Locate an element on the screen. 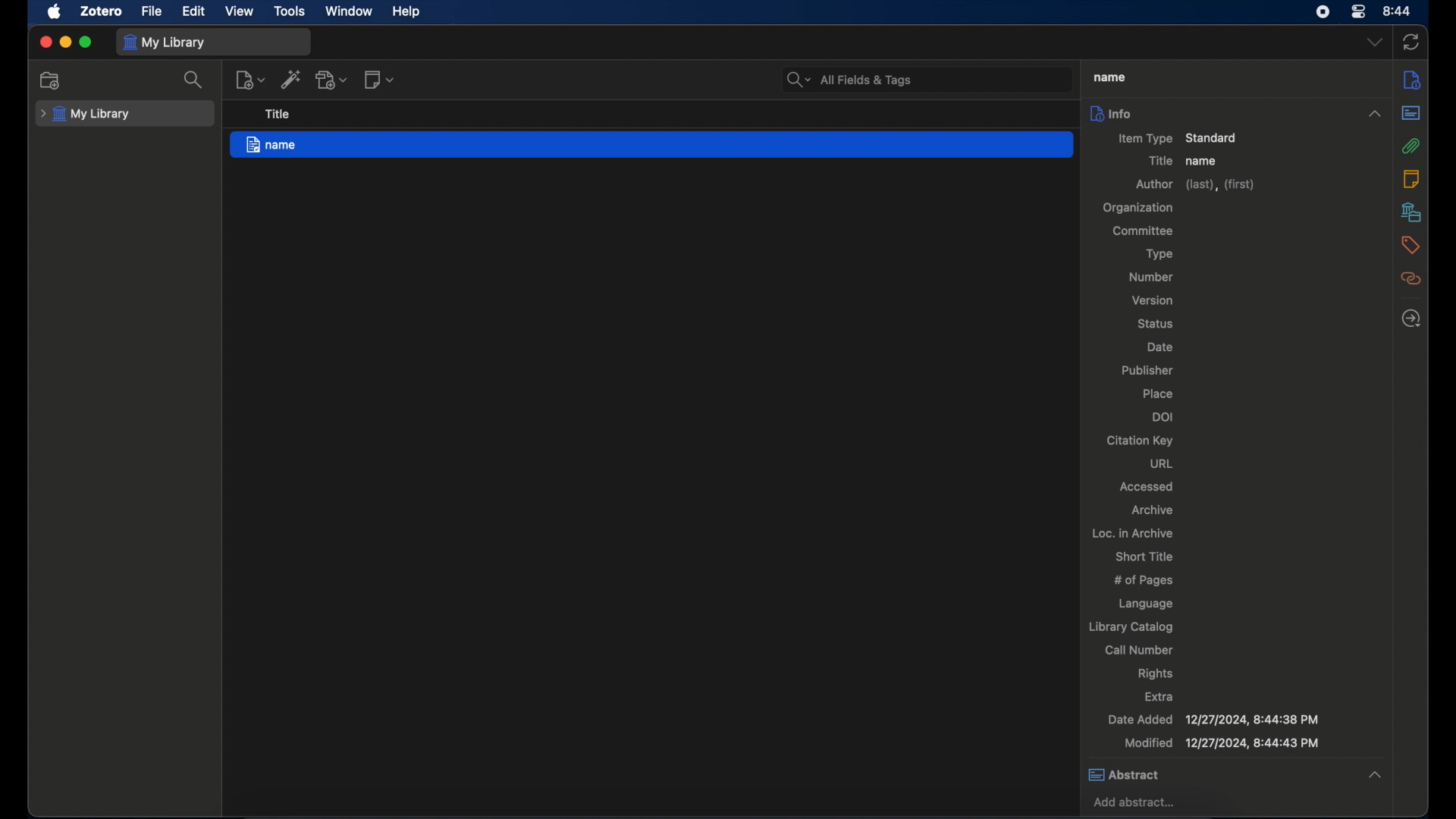  add attachment is located at coordinates (333, 80).